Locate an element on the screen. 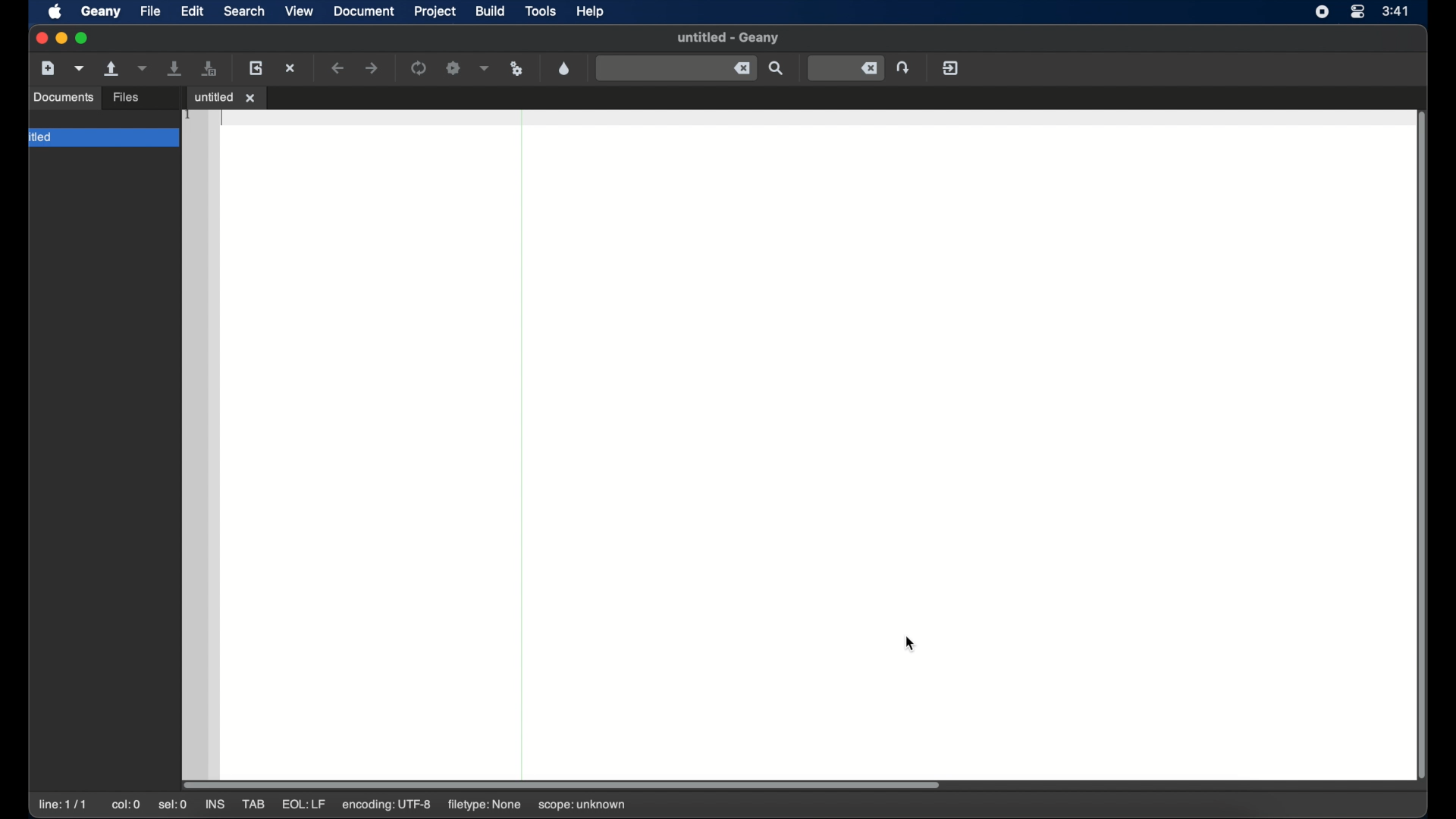 Image resolution: width=1456 pixels, height=819 pixels. open a recent file is located at coordinates (144, 69).